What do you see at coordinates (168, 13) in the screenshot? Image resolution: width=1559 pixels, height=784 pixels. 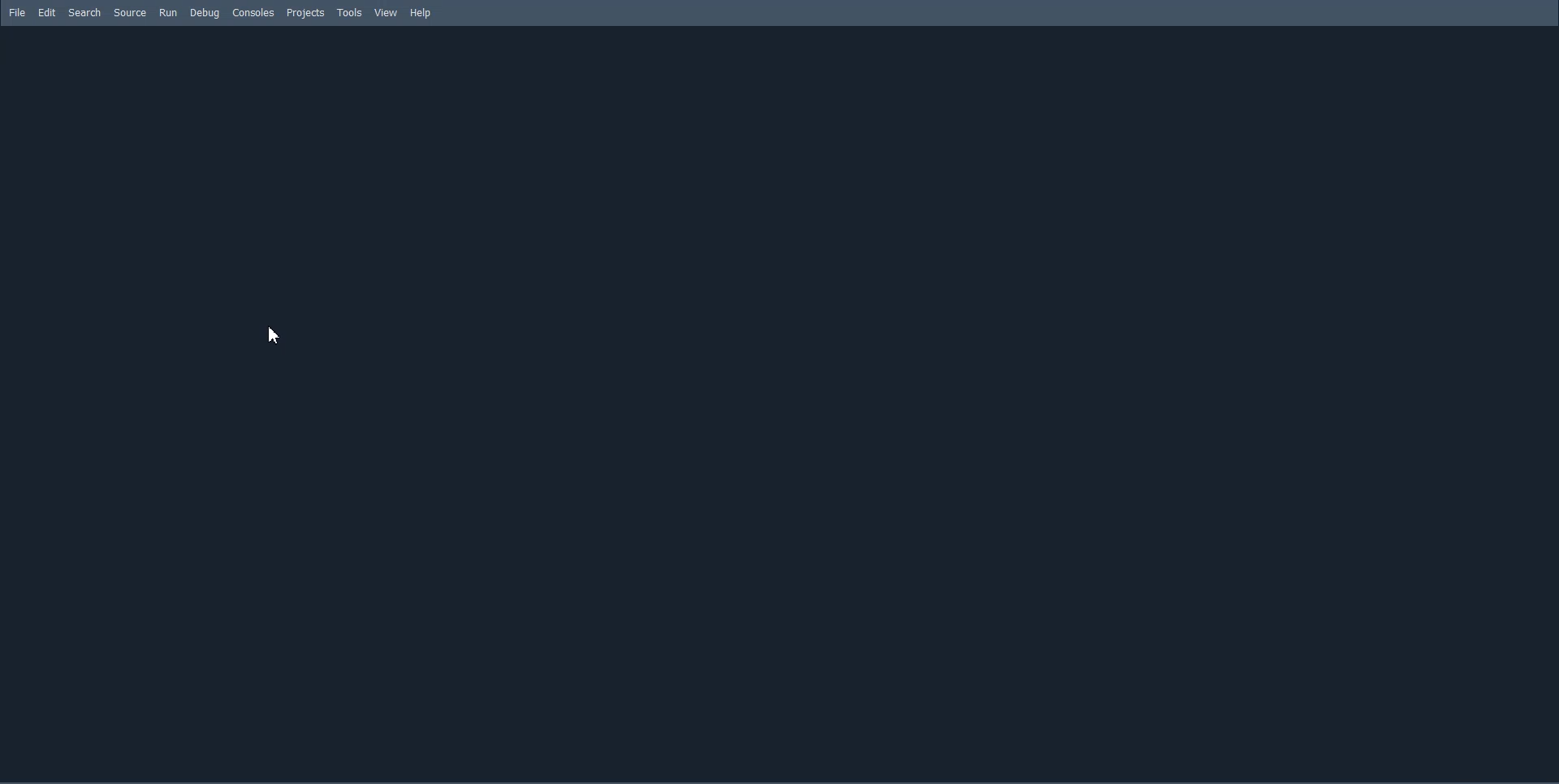 I see `Run` at bounding box center [168, 13].